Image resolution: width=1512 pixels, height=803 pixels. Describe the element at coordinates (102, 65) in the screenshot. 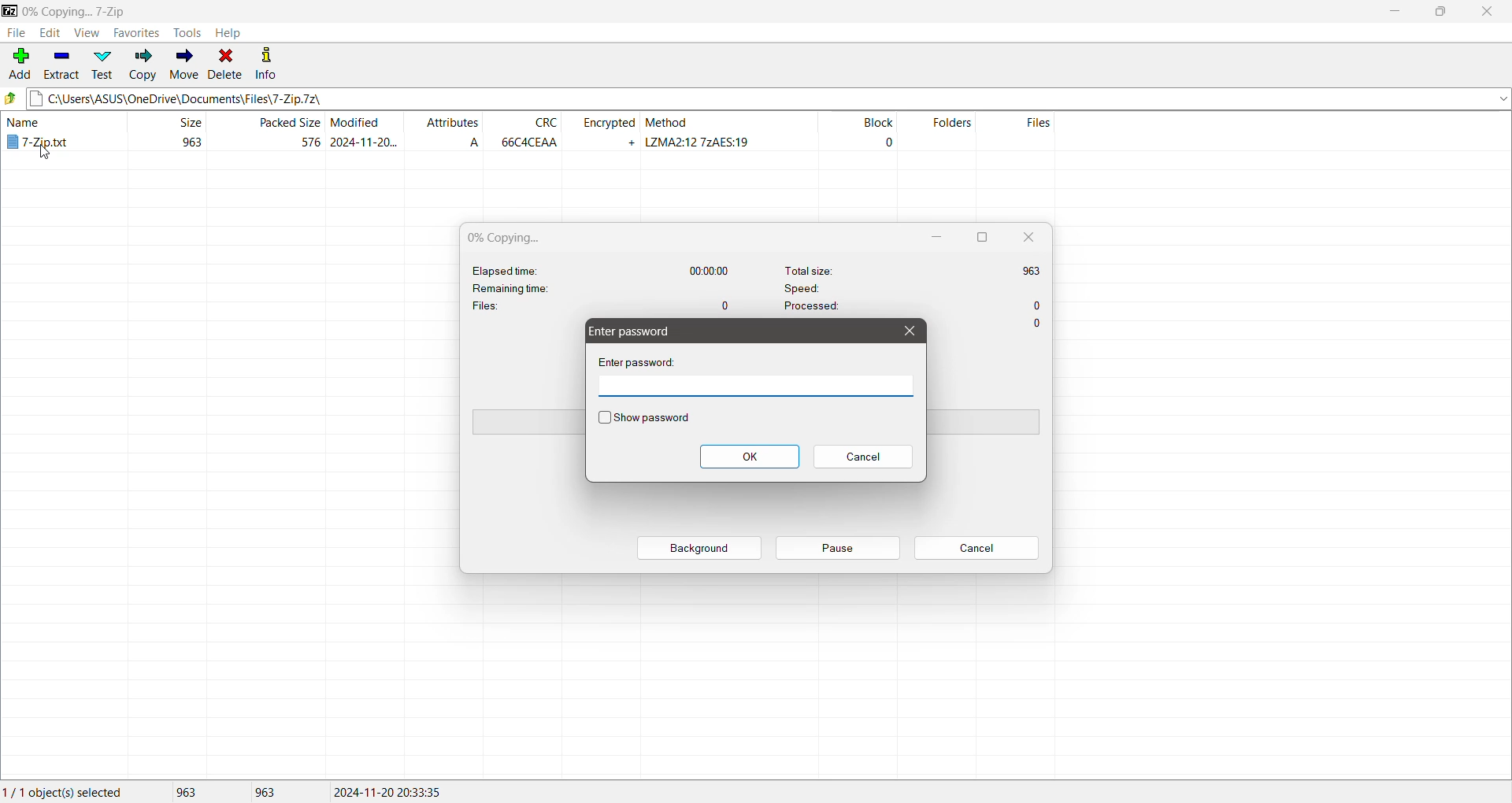

I see `Test` at that location.